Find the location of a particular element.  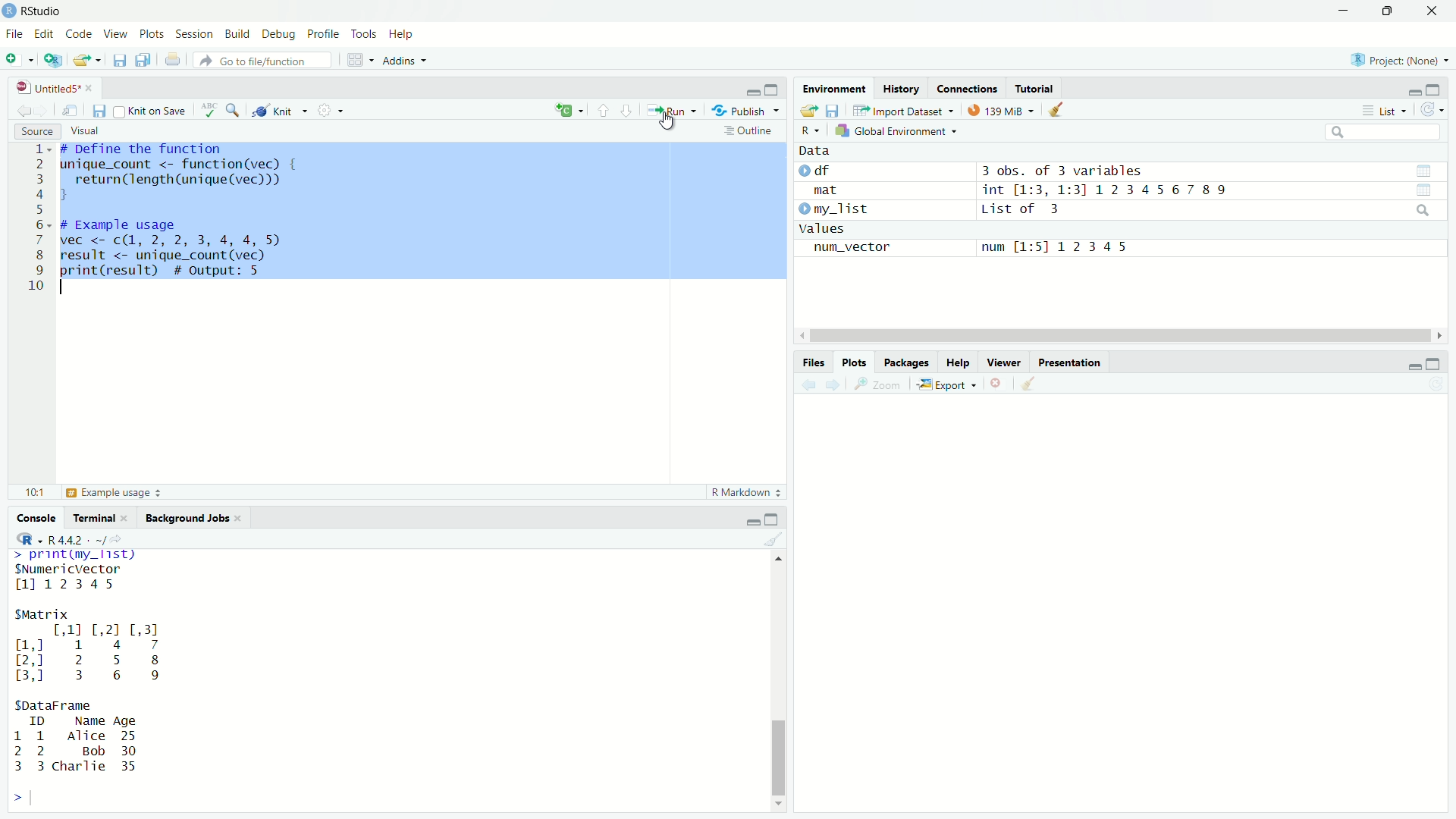

minimize is located at coordinates (1413, 367).